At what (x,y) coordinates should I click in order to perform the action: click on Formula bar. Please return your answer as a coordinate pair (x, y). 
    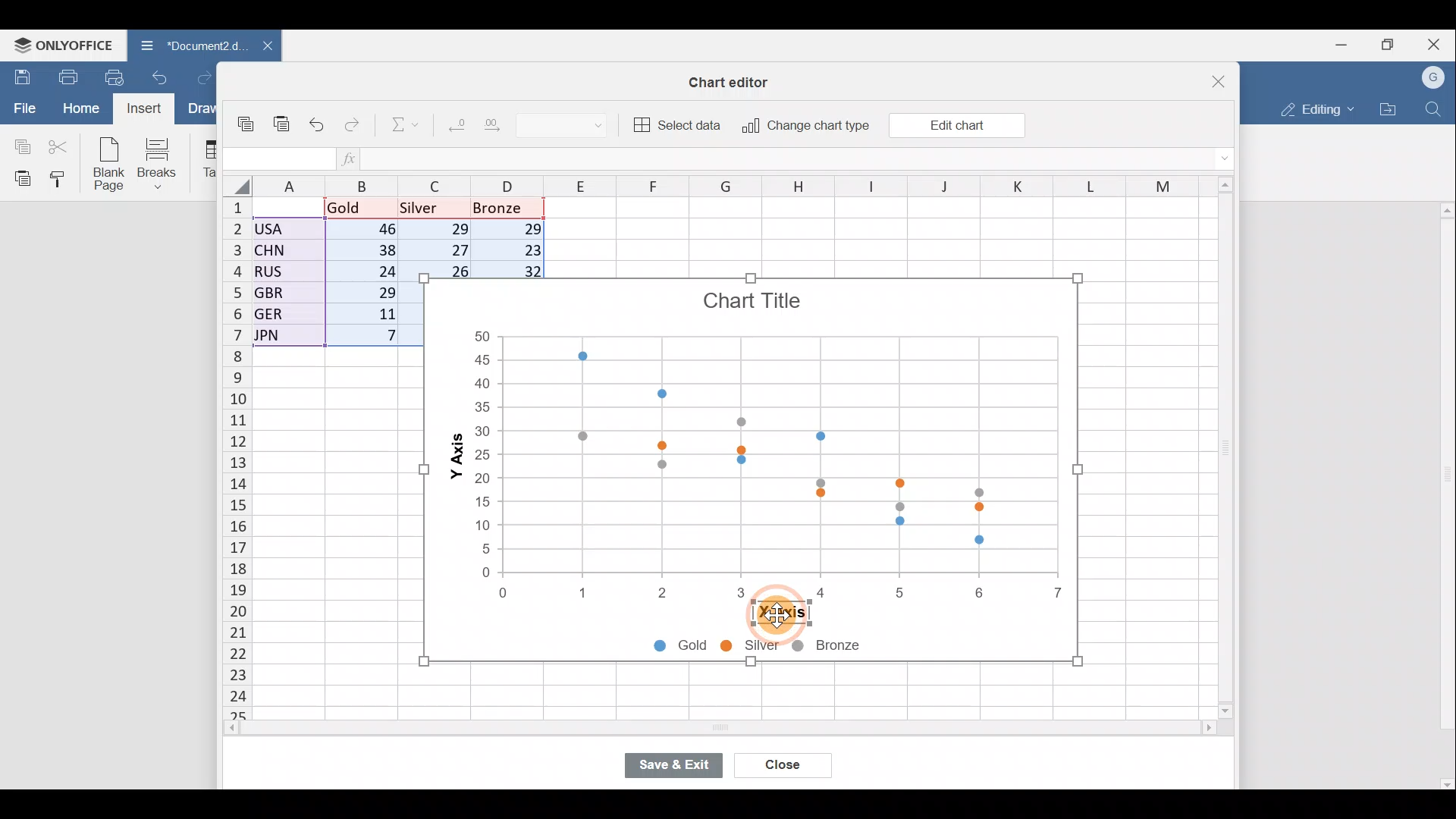
    Looking at the image, I should click on (791, 160).